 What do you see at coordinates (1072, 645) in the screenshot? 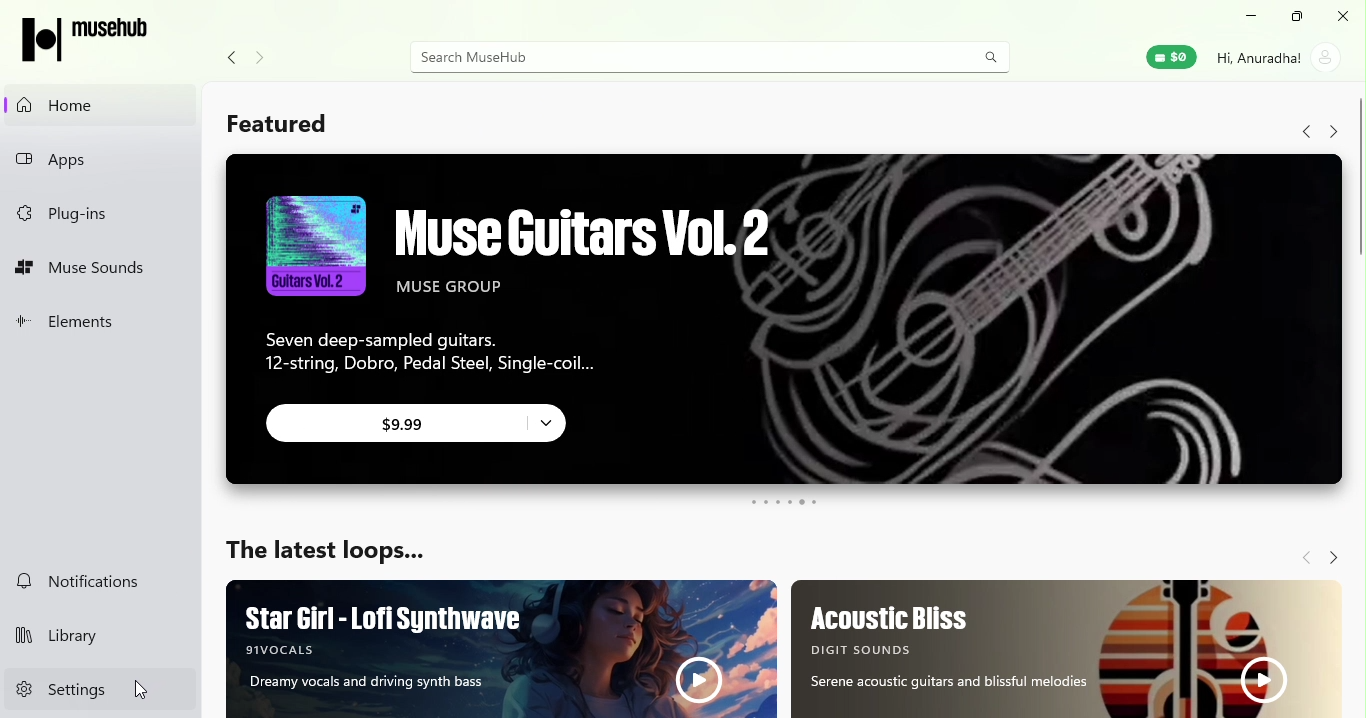
I see `Ad` at bounding box center [1072, 645].